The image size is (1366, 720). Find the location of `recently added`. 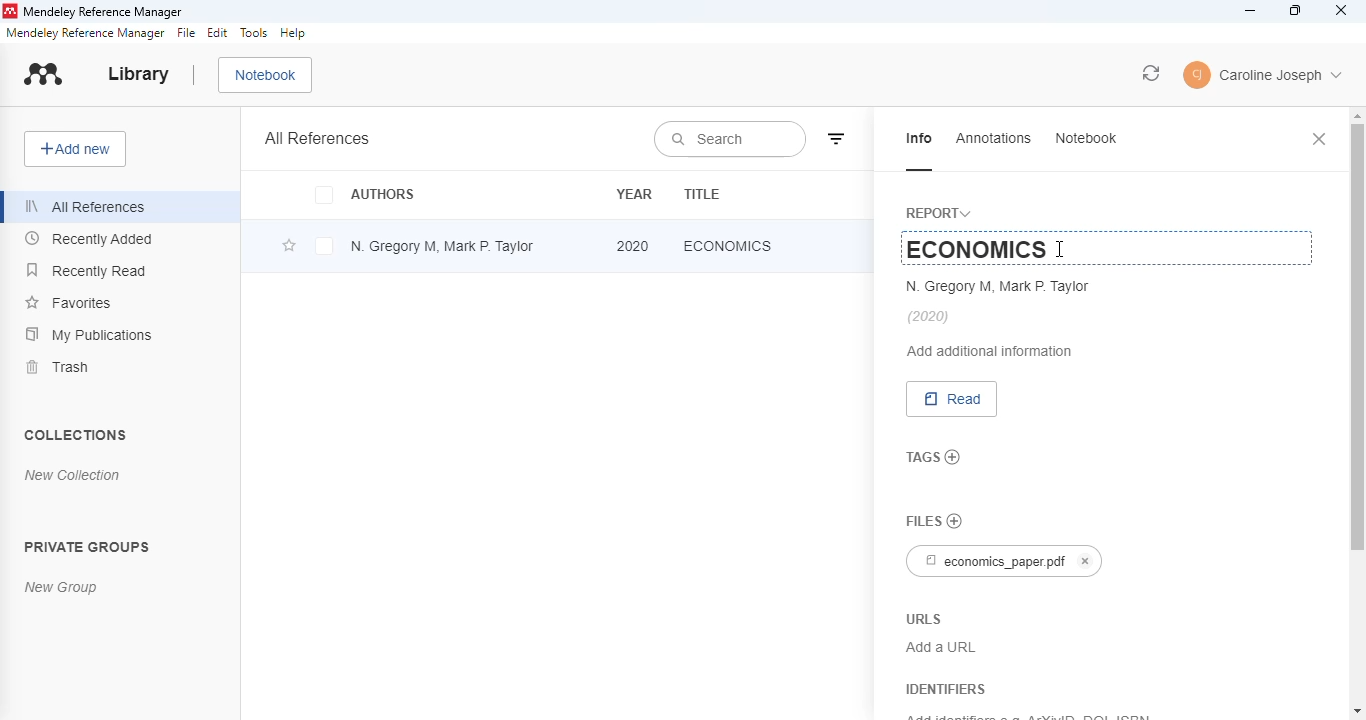

recently added is located at coordinates (88, 239).